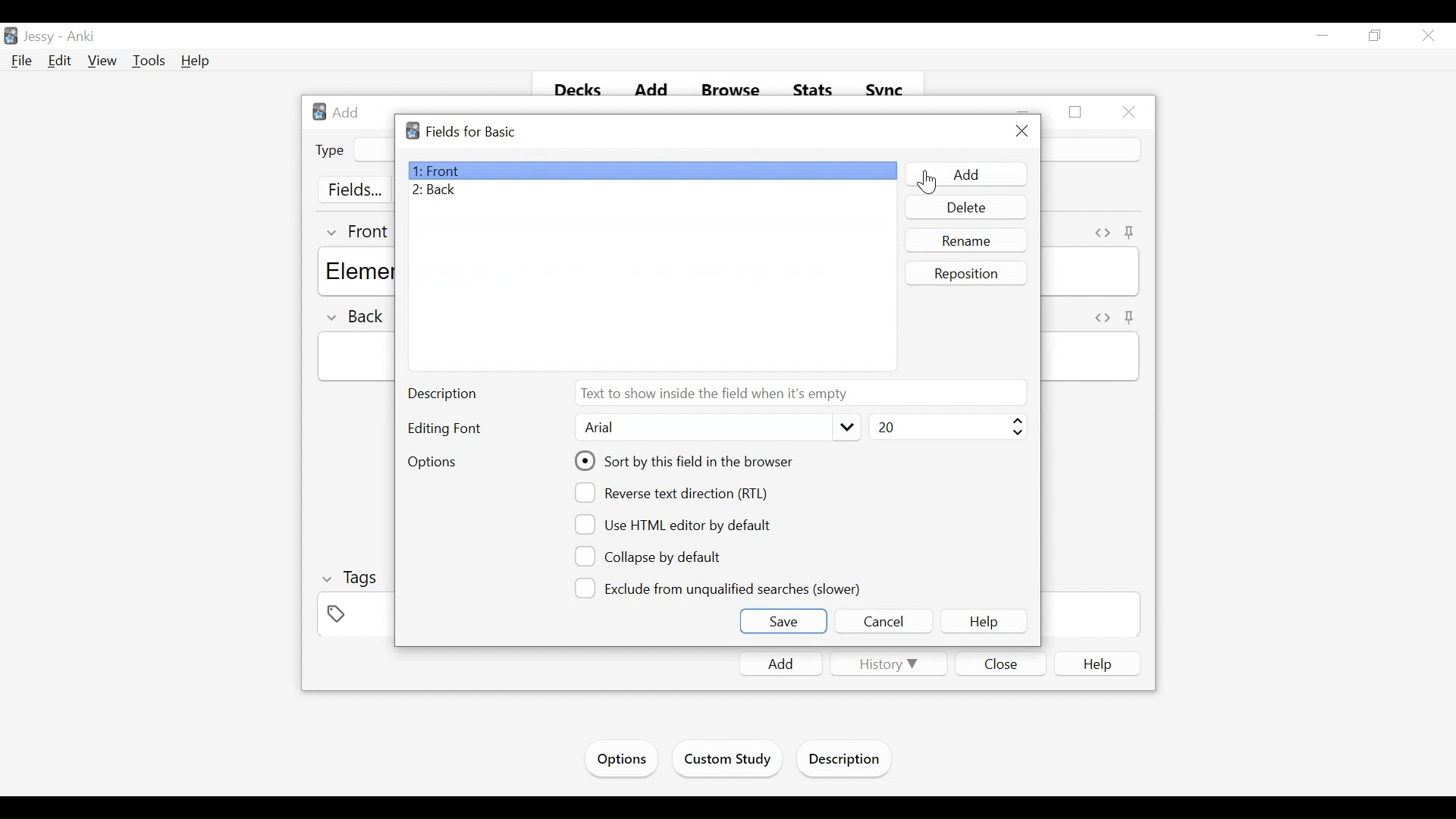 This screenshot has width=1456, height=819. I want to click on Cursor, so click(927, 182).